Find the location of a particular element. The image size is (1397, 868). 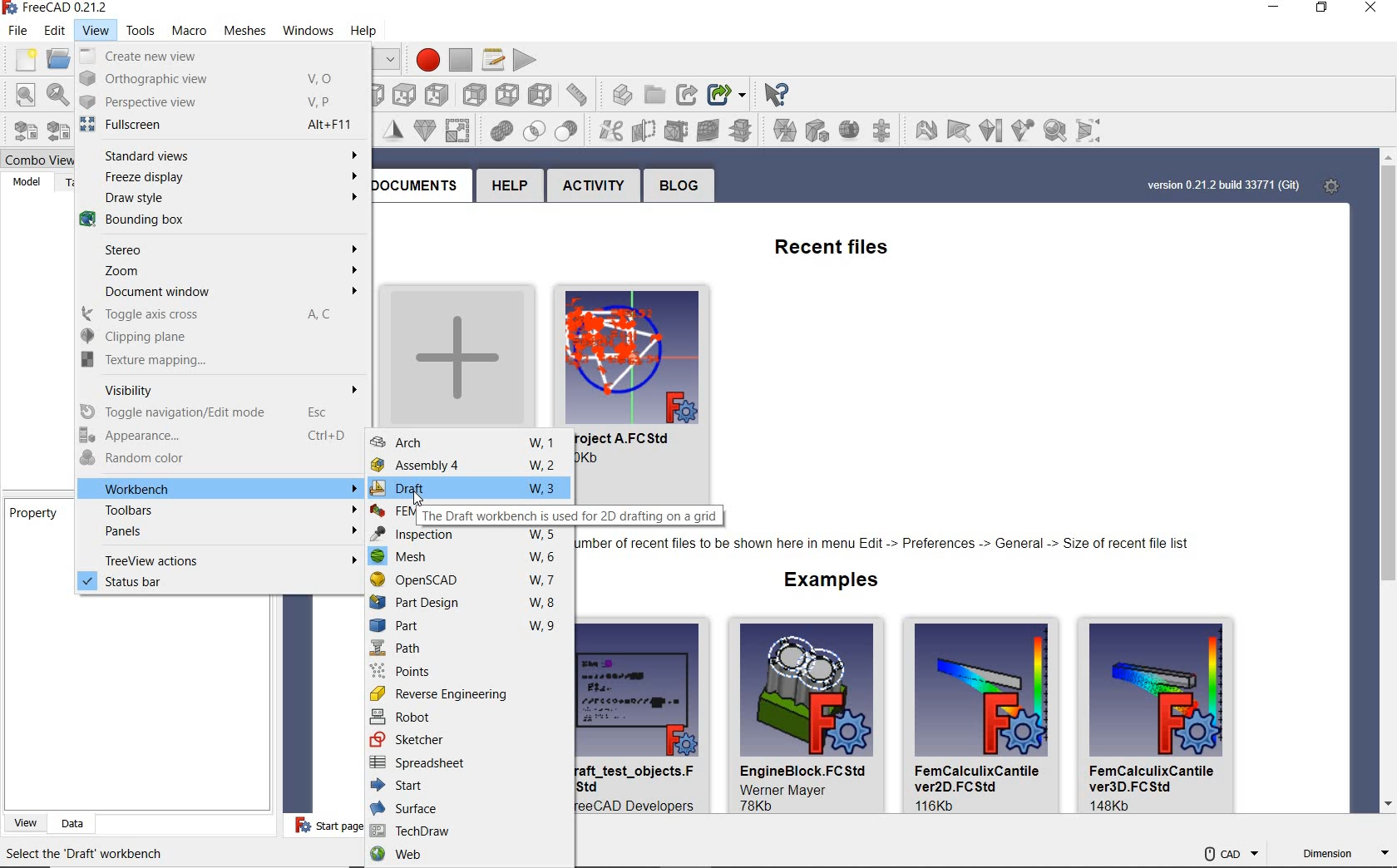

treeview actions is located at coordinates (220, 559).